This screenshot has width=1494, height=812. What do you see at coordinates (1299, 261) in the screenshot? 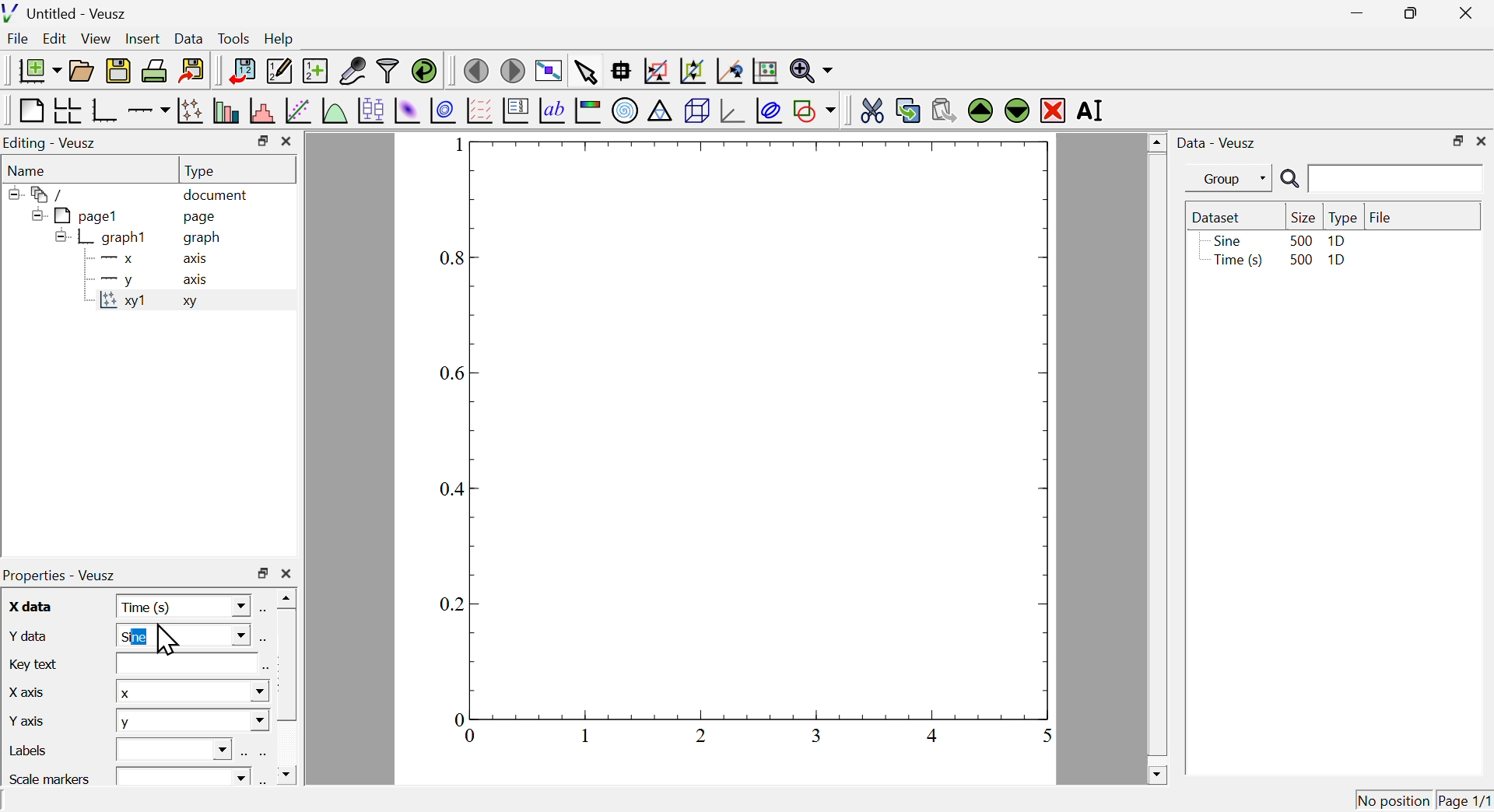
I see `500` at bounding box center [1299, 261].